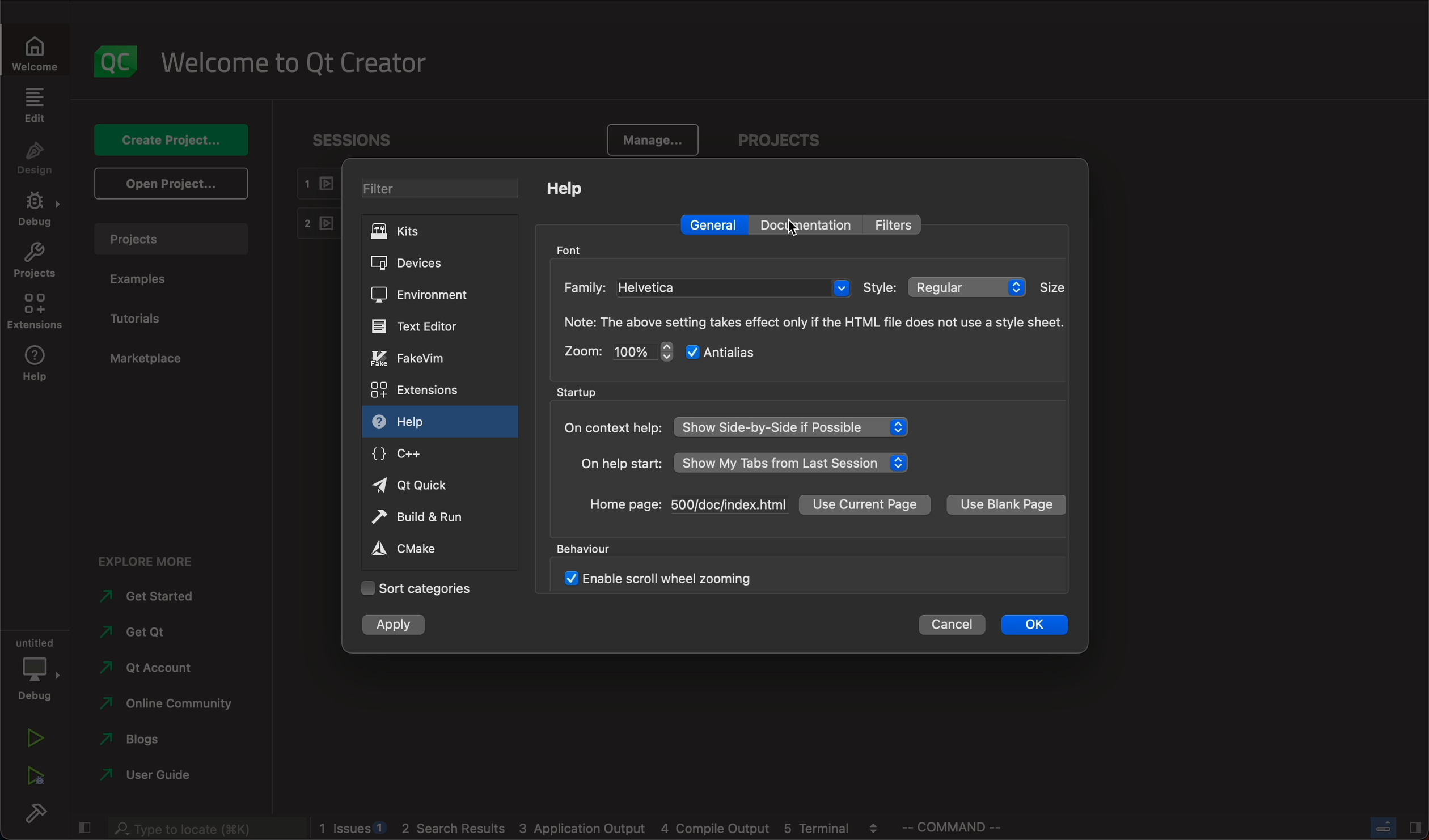 The height and width of the screenshot is (840, 1429). What do you see at coordinates (423, 515) in the screenshot?
I see `run` at bounding box center [423, 515].